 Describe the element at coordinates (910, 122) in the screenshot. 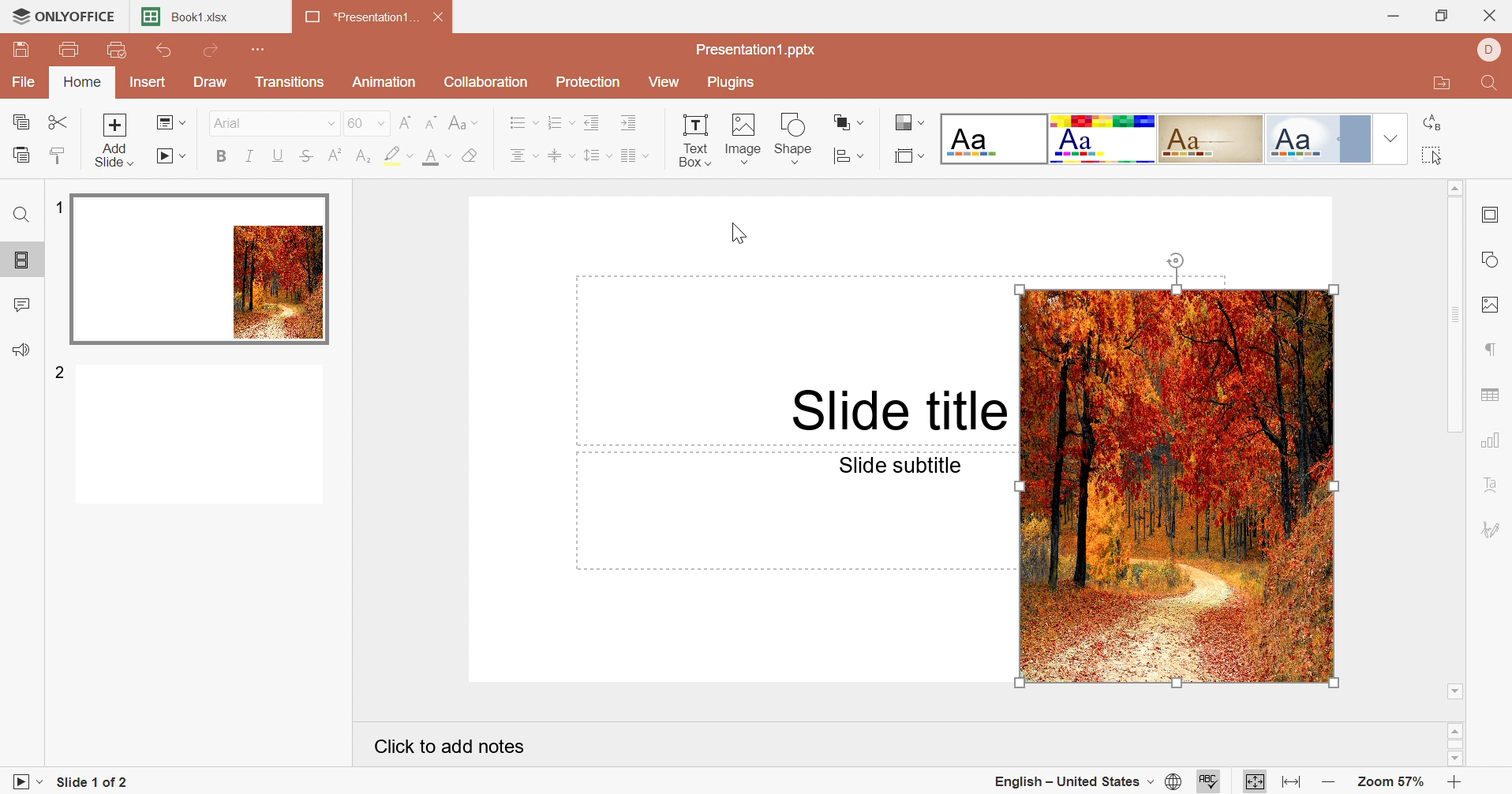

I see `Change color theme` at that location.